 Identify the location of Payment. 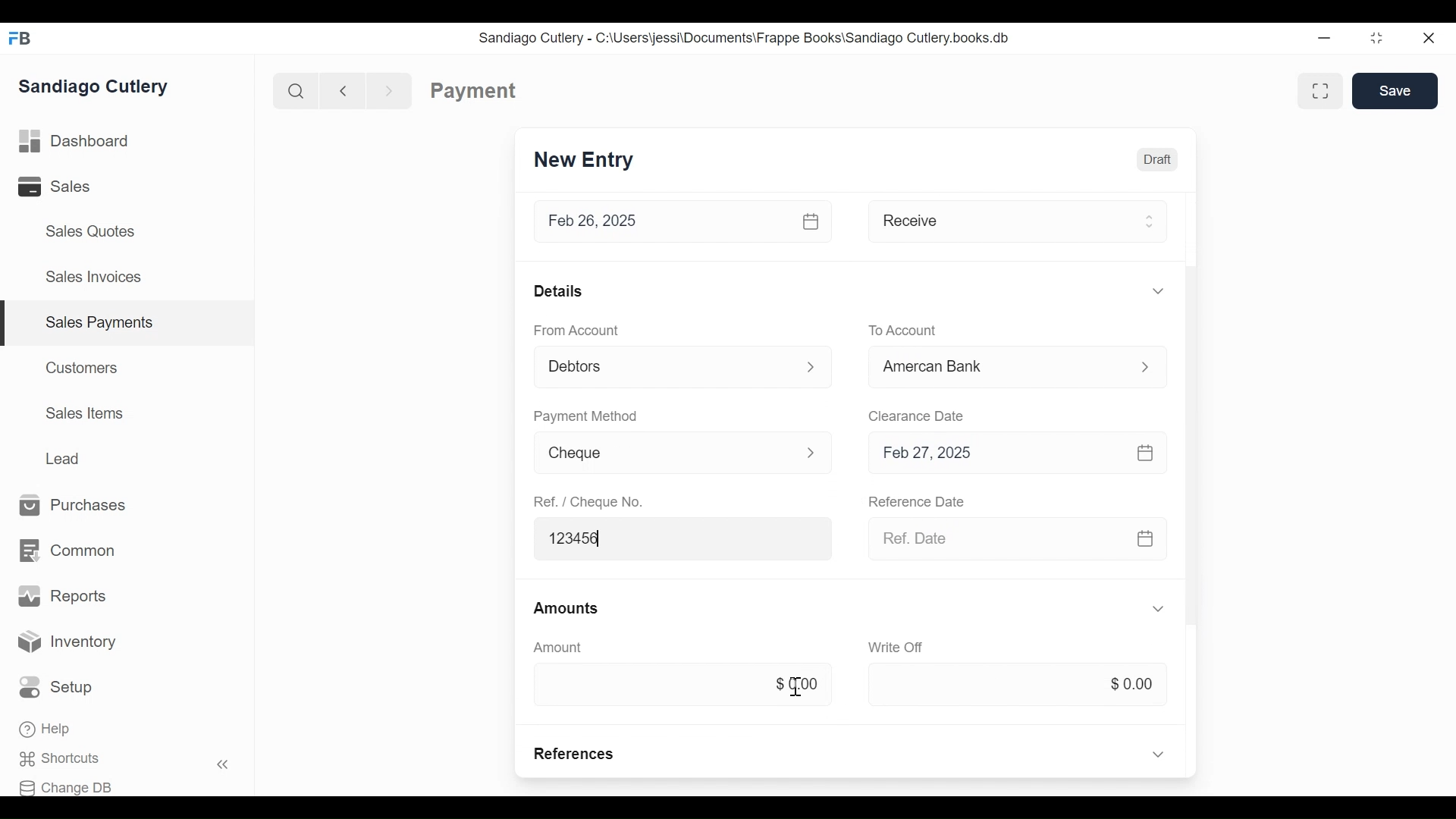
(474, 91).